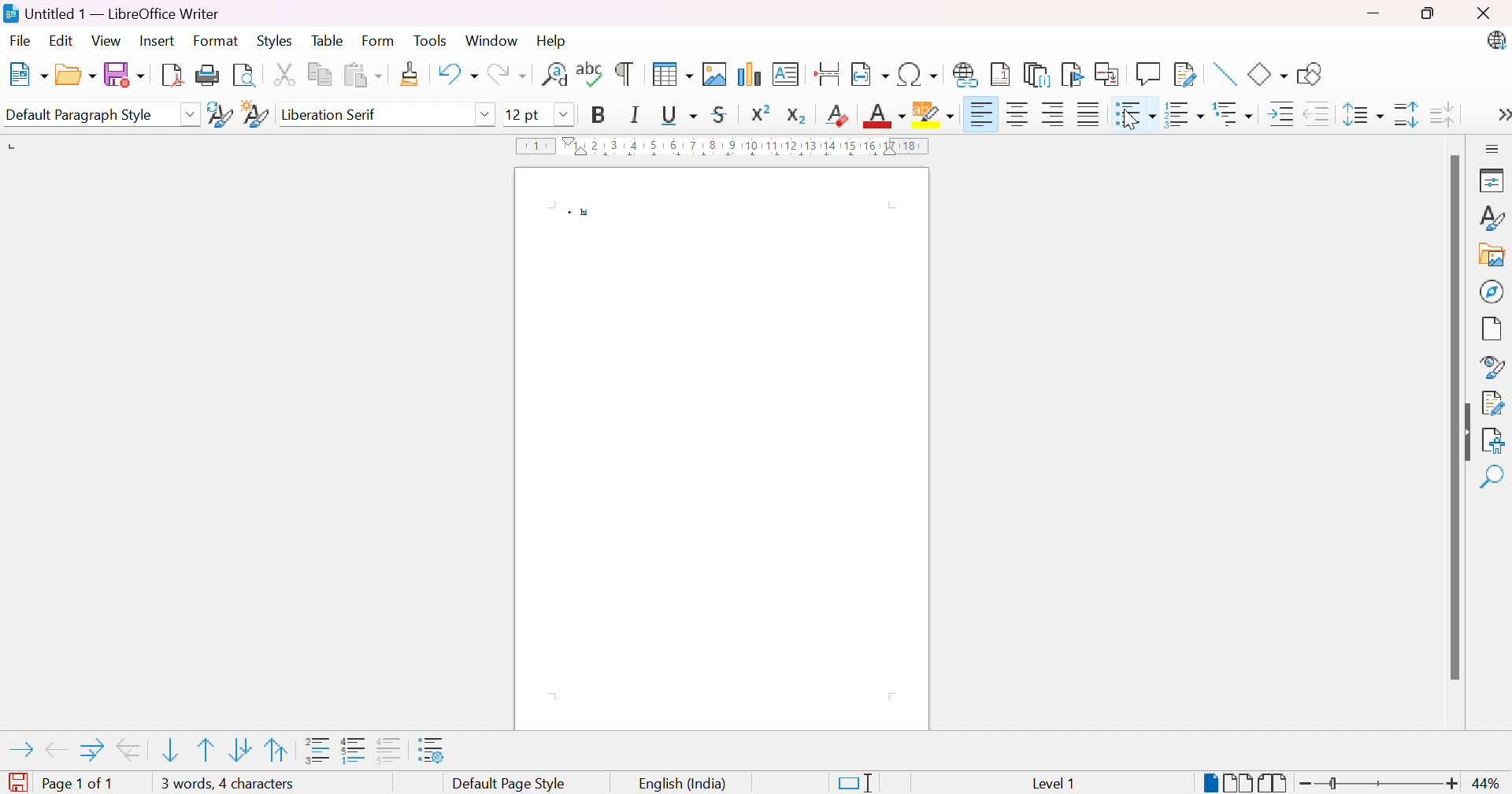 This screenshot has height=794, width=1512. I want to click on Insert footnote, so click(998, 75).